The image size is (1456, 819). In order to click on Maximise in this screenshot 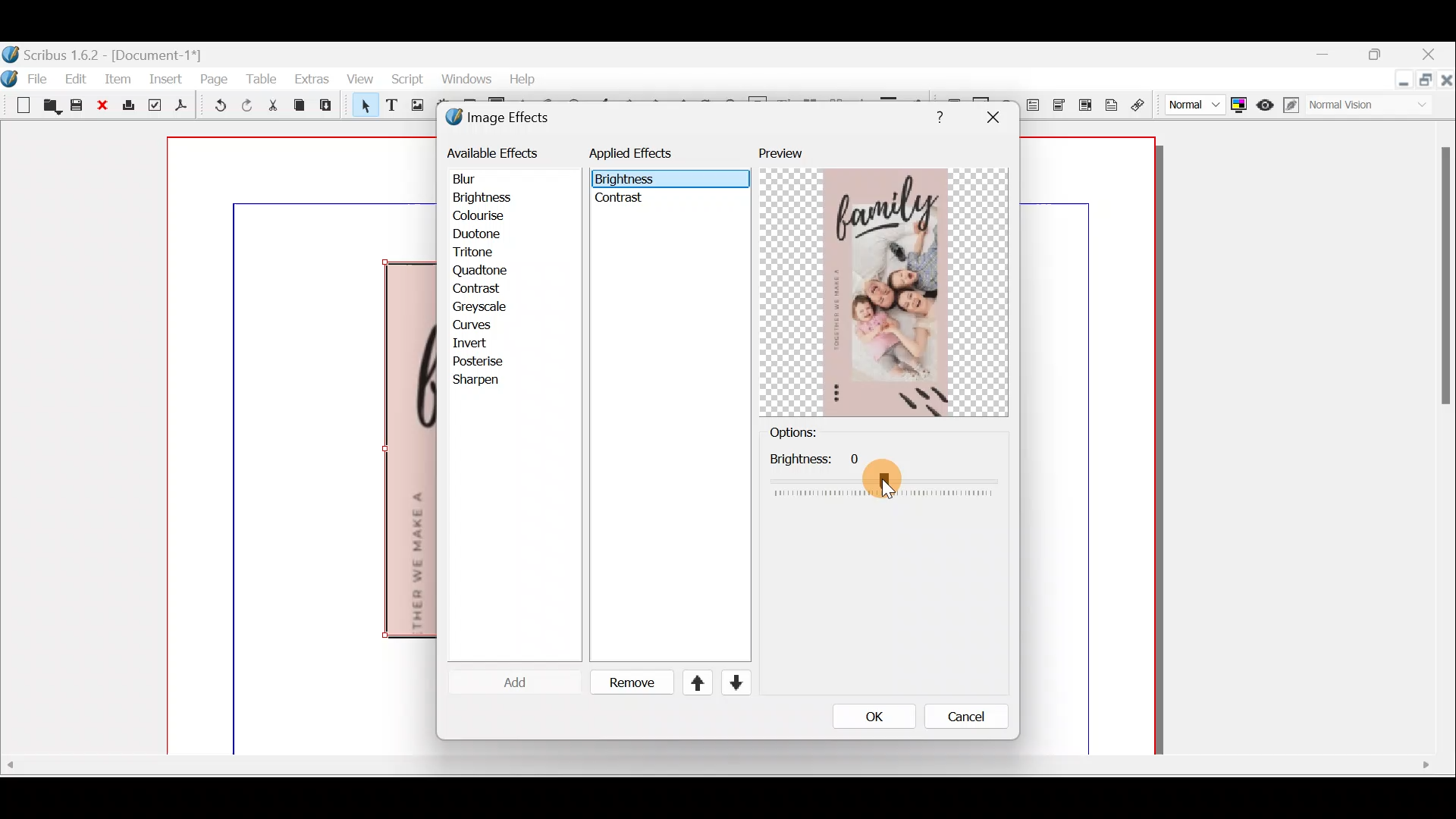, I will do `click(1427, 83)`.